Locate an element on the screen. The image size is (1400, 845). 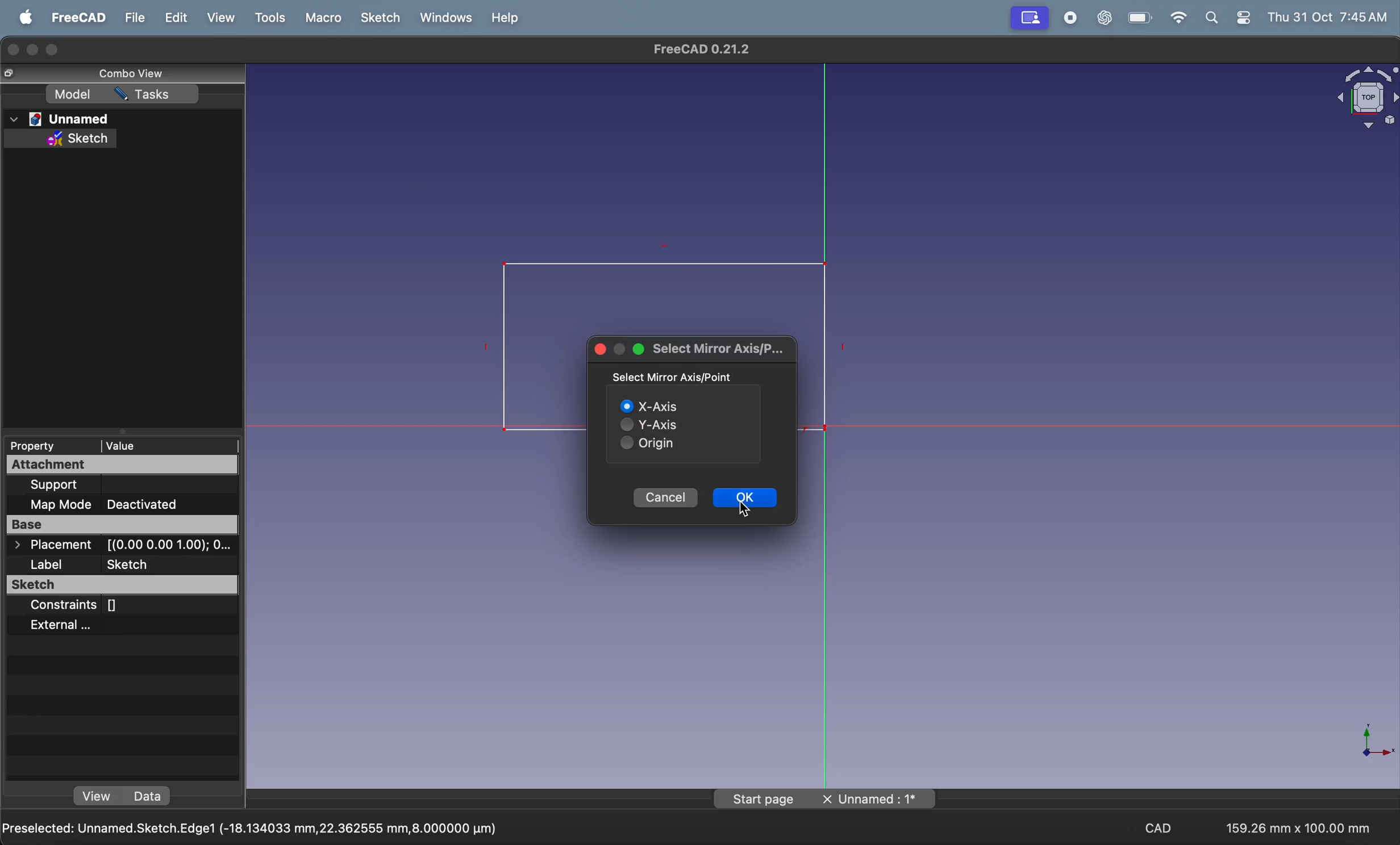
map mode deactivated is located at coordinates (129, 504).